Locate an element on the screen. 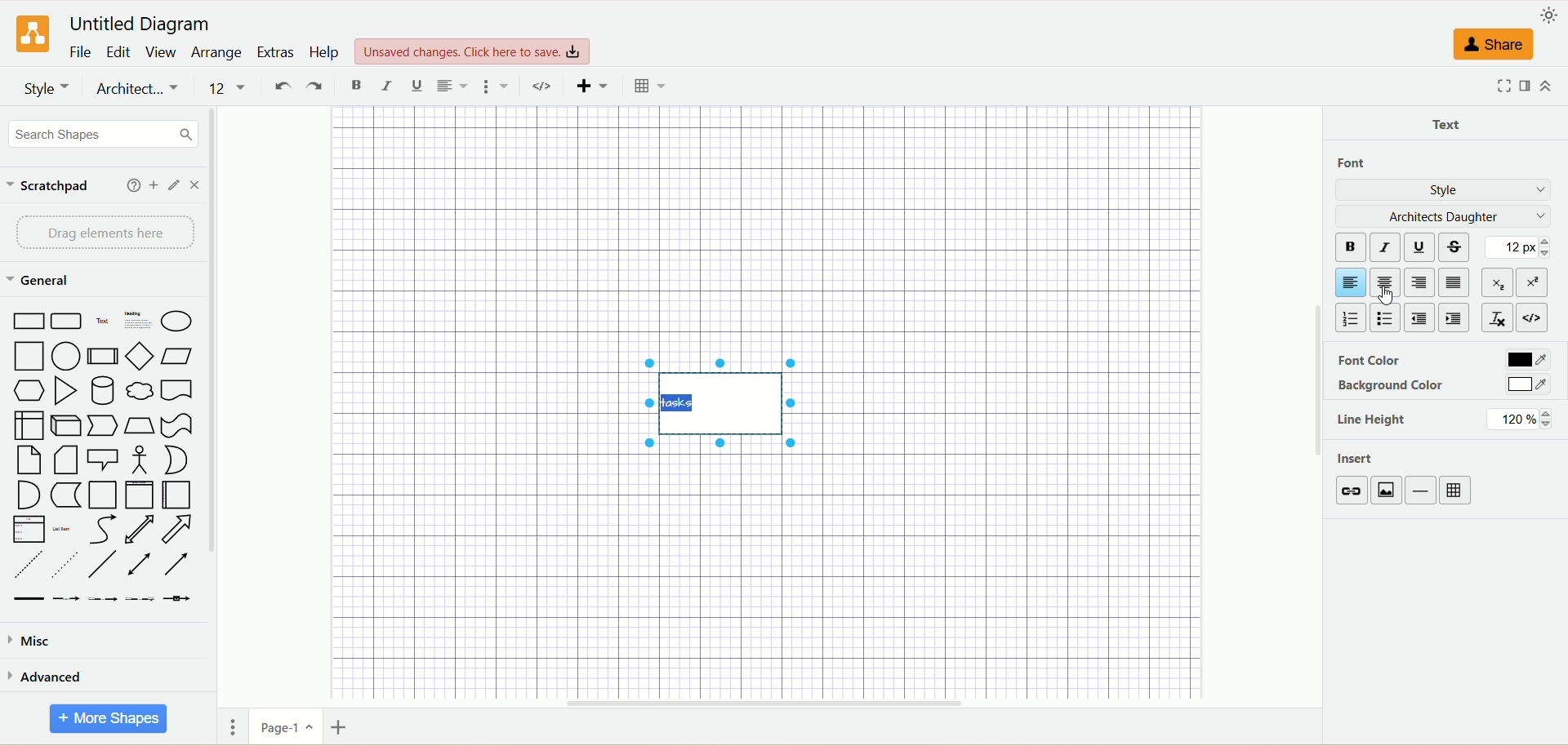 This screenshot has height=746, width=1568. HTML is located at coordinates (1535, 317).